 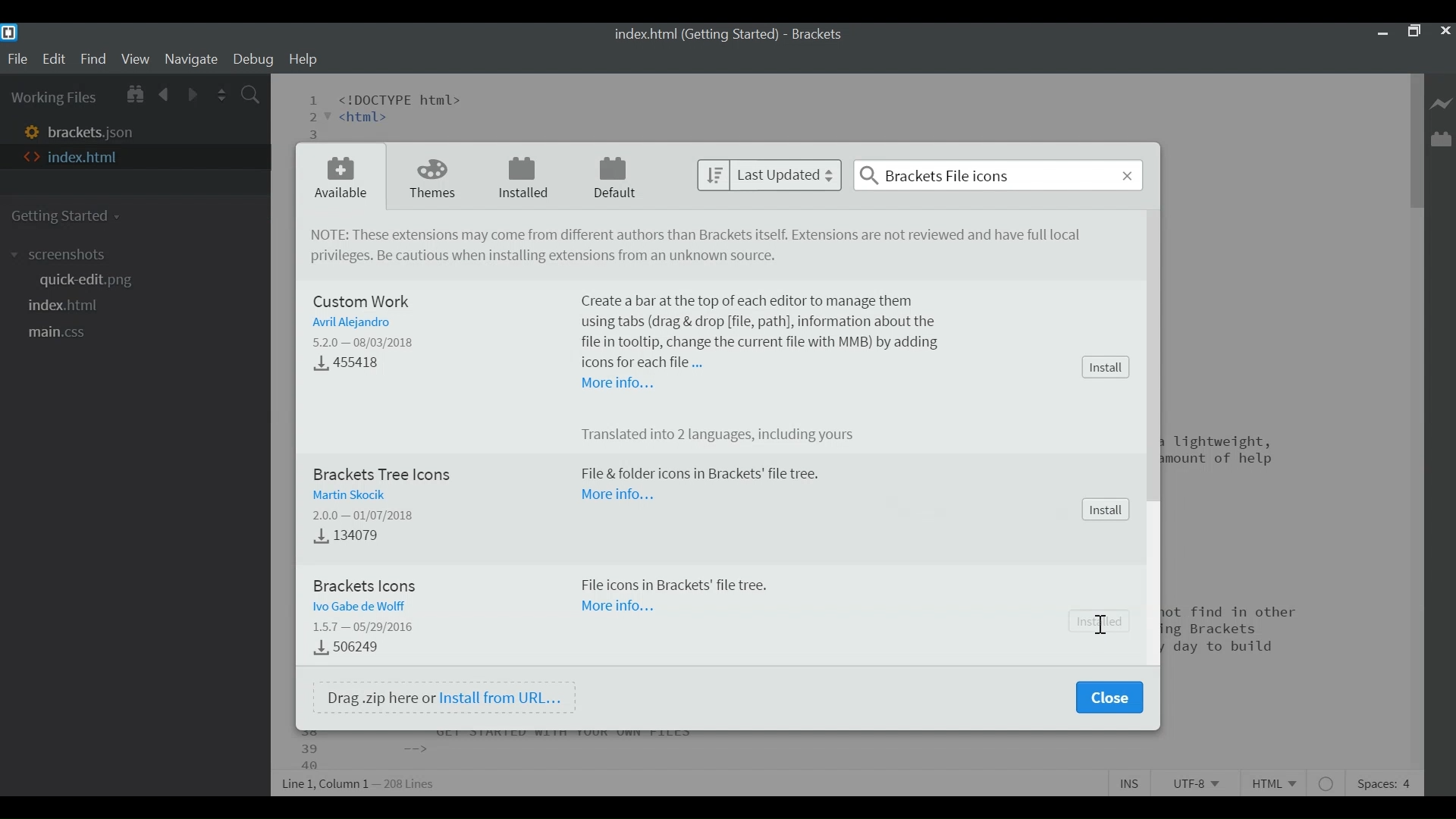 What do you see at coordinates (193, 60) in the screenshot?
I see `Navigate` at bounding box center [193, 60].